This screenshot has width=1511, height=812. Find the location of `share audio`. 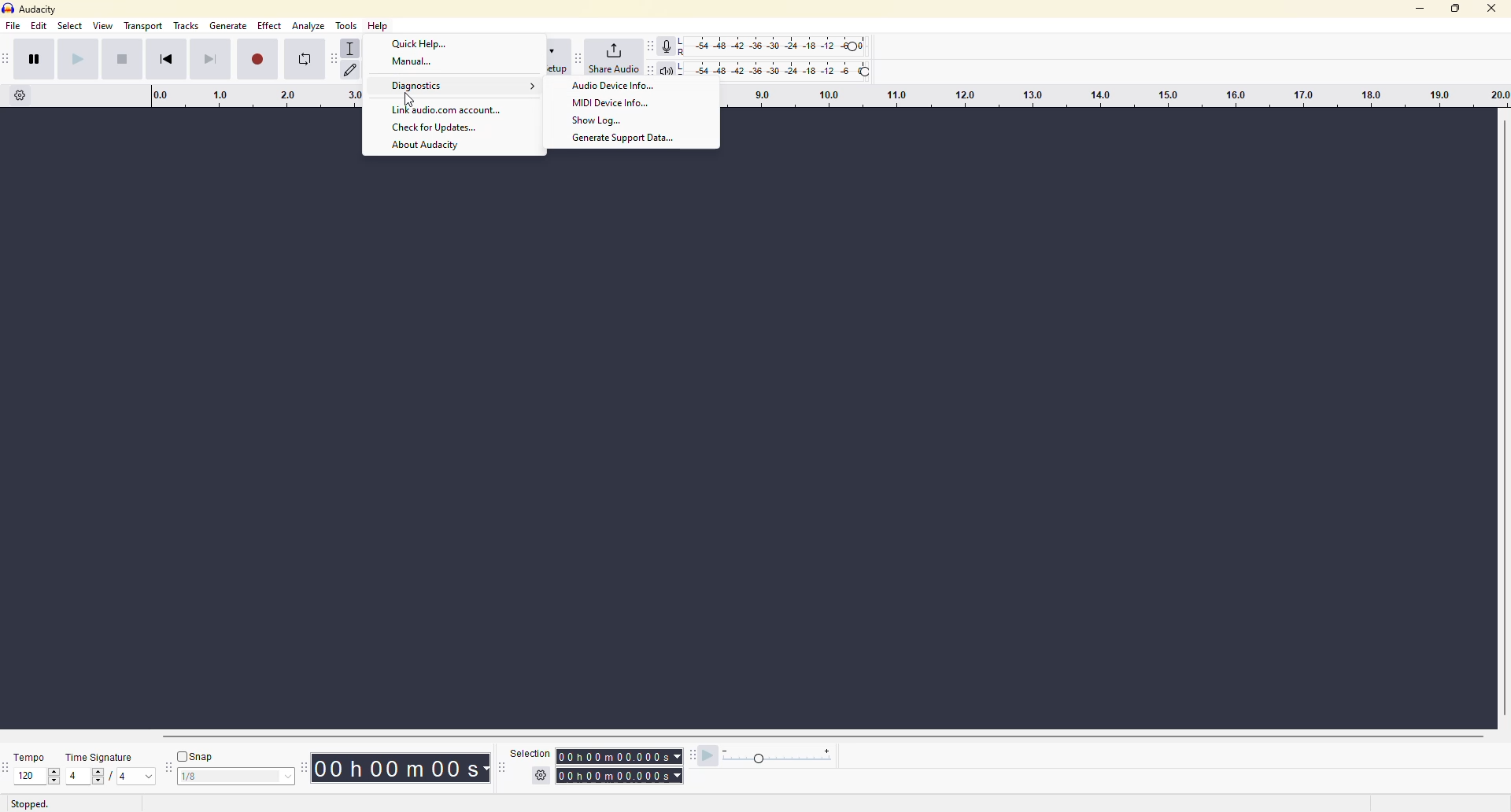

share audio is located at coordinates (622, 58).